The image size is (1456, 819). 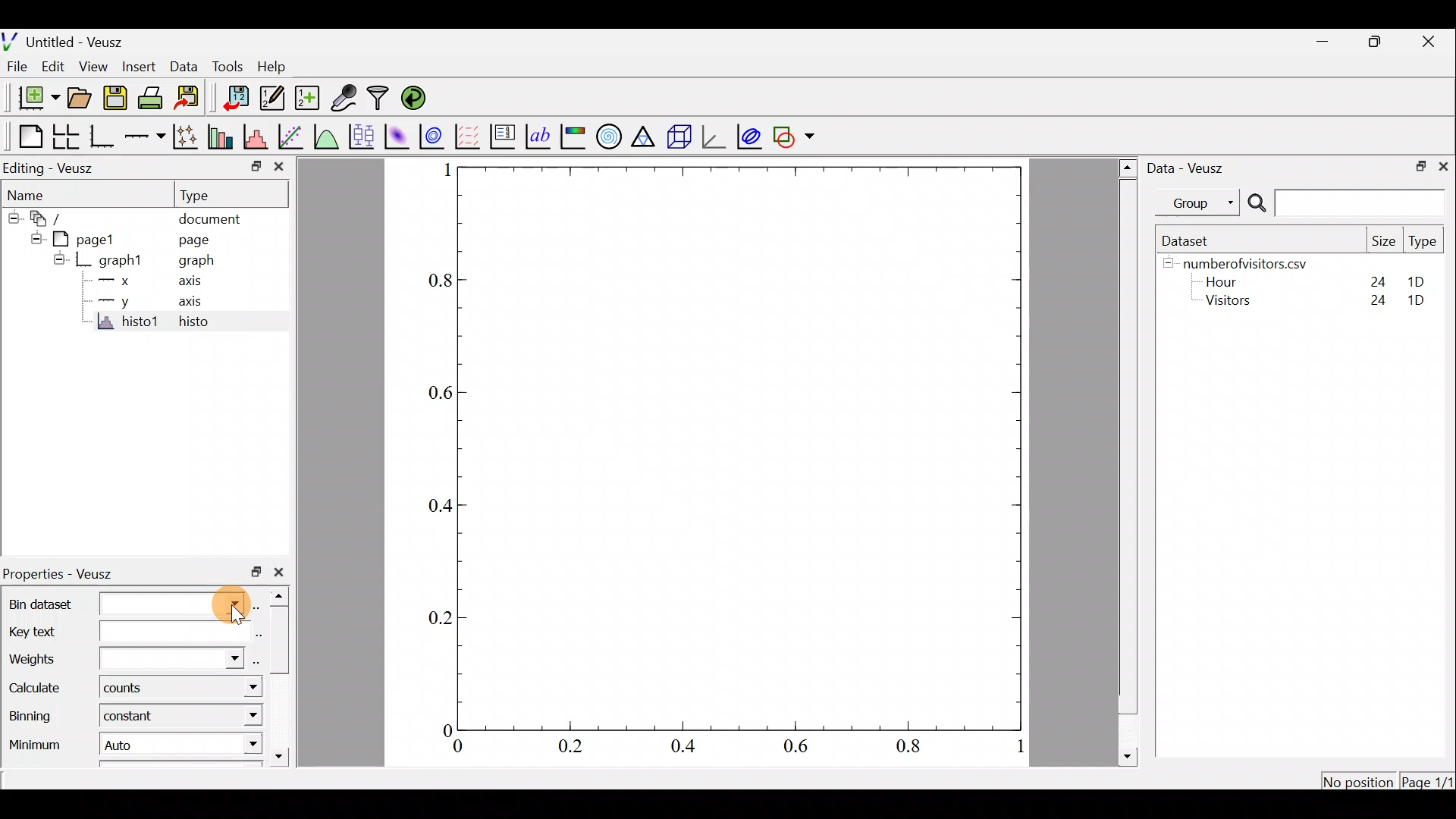 I want to click on Type, so click(x=1423, y=240).